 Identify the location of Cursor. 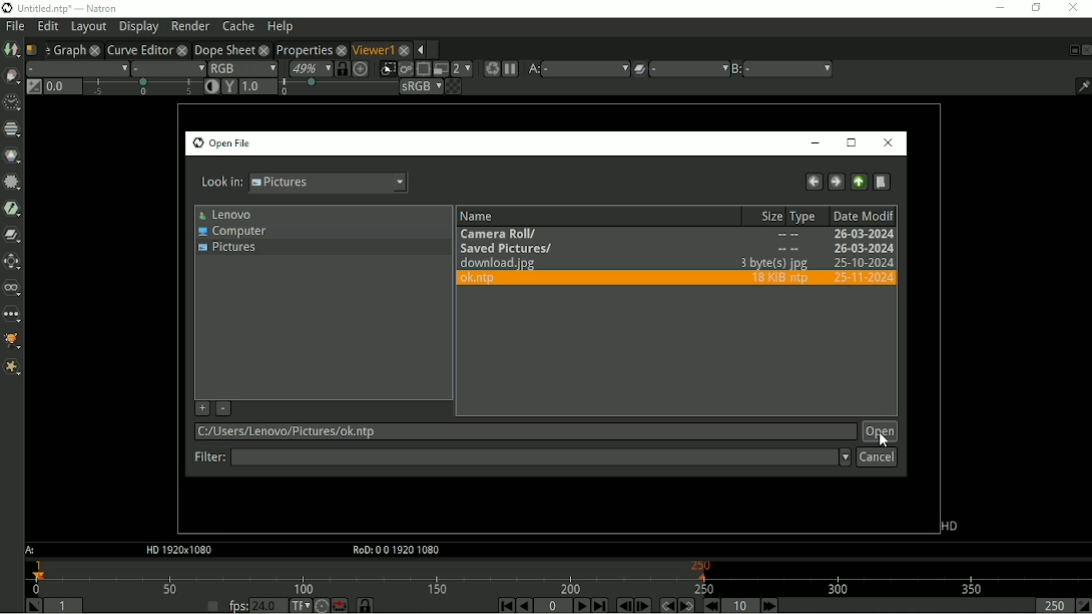
(883, 441).